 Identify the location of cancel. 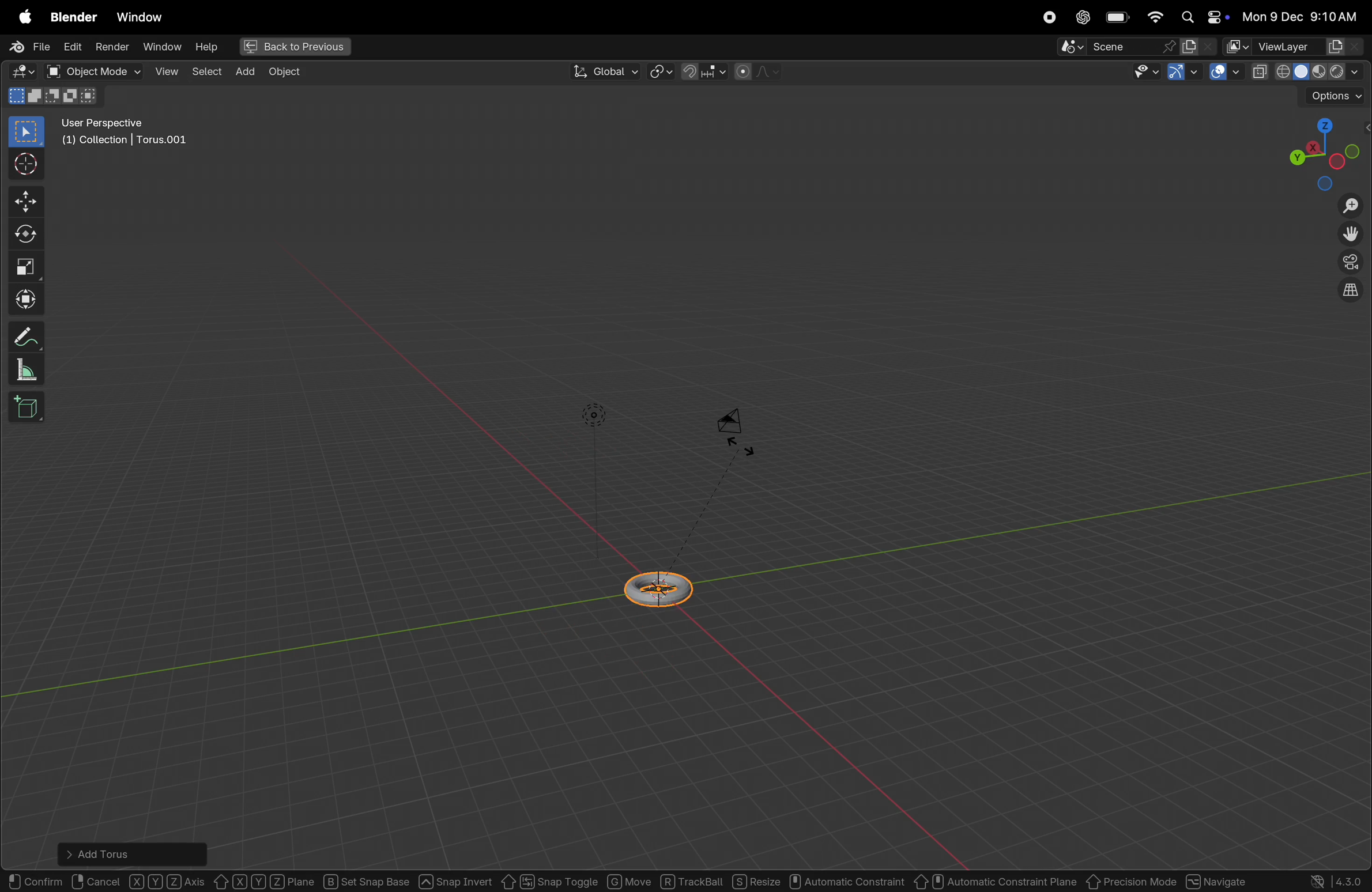
(97, 879).